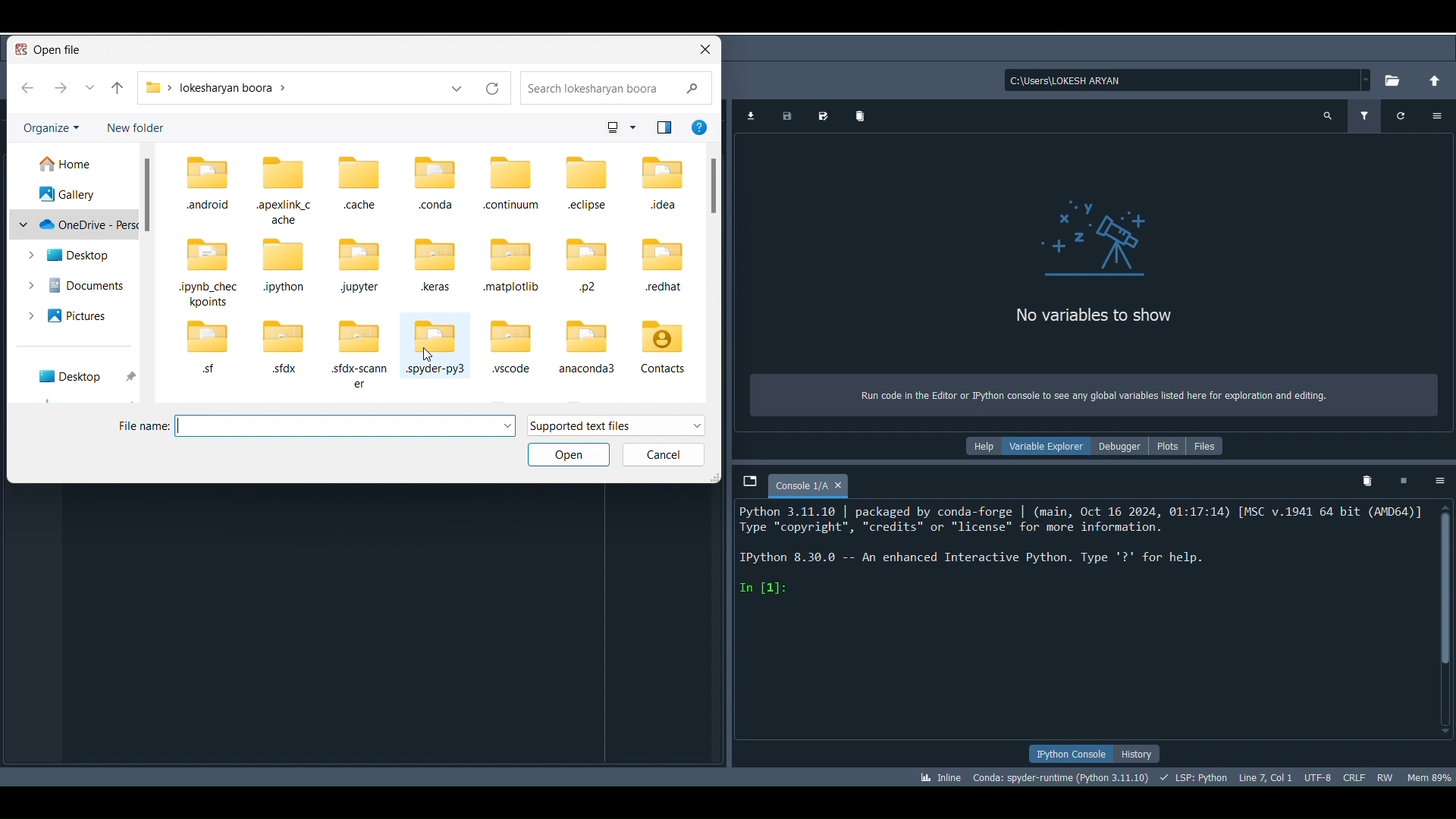  What do you see at coordinates (663, 348) in the screenshot?
I see `Folder` at bounding box center [663, 348].